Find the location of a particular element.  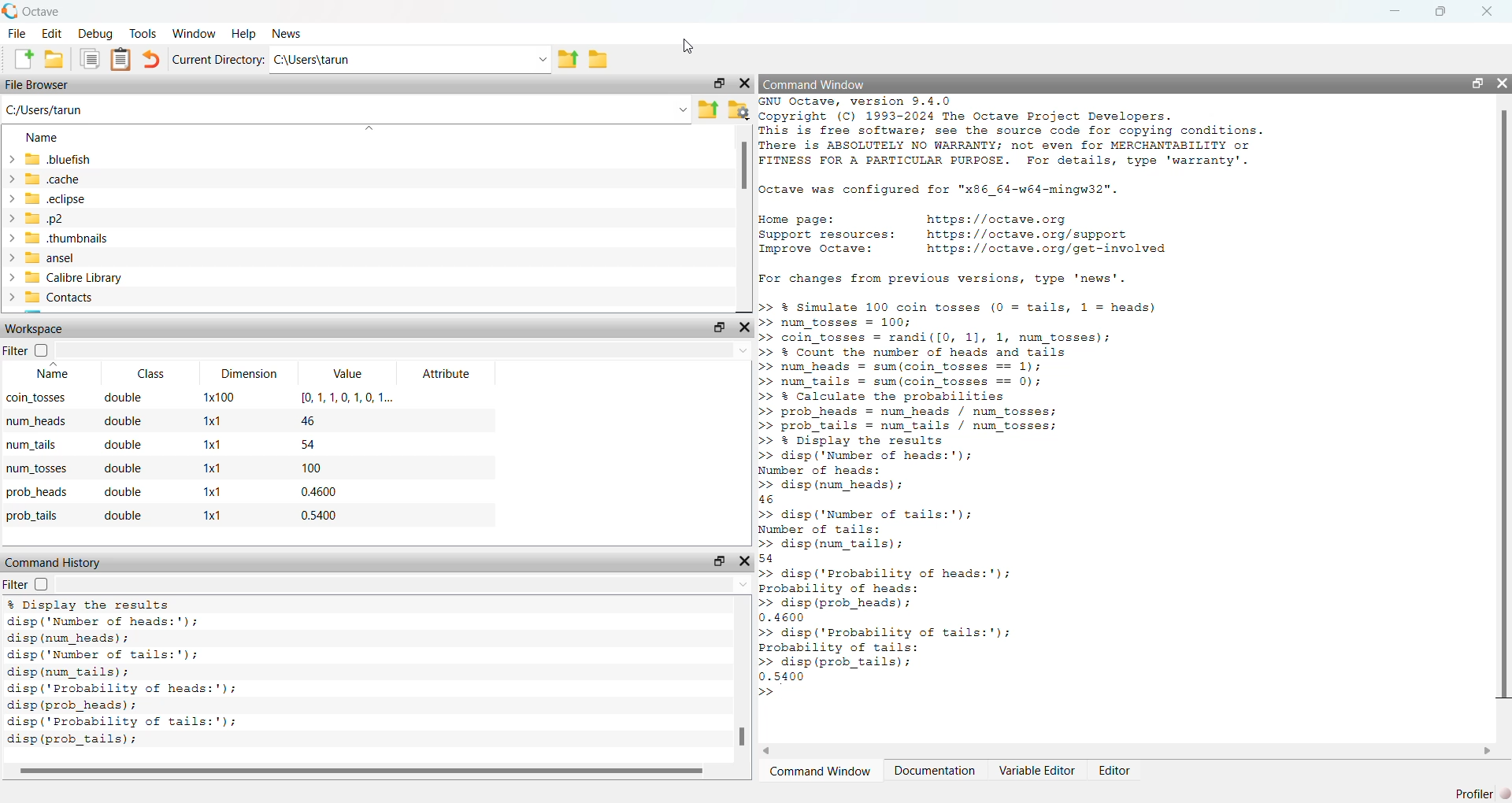

double is located at coordinates (122, 422).